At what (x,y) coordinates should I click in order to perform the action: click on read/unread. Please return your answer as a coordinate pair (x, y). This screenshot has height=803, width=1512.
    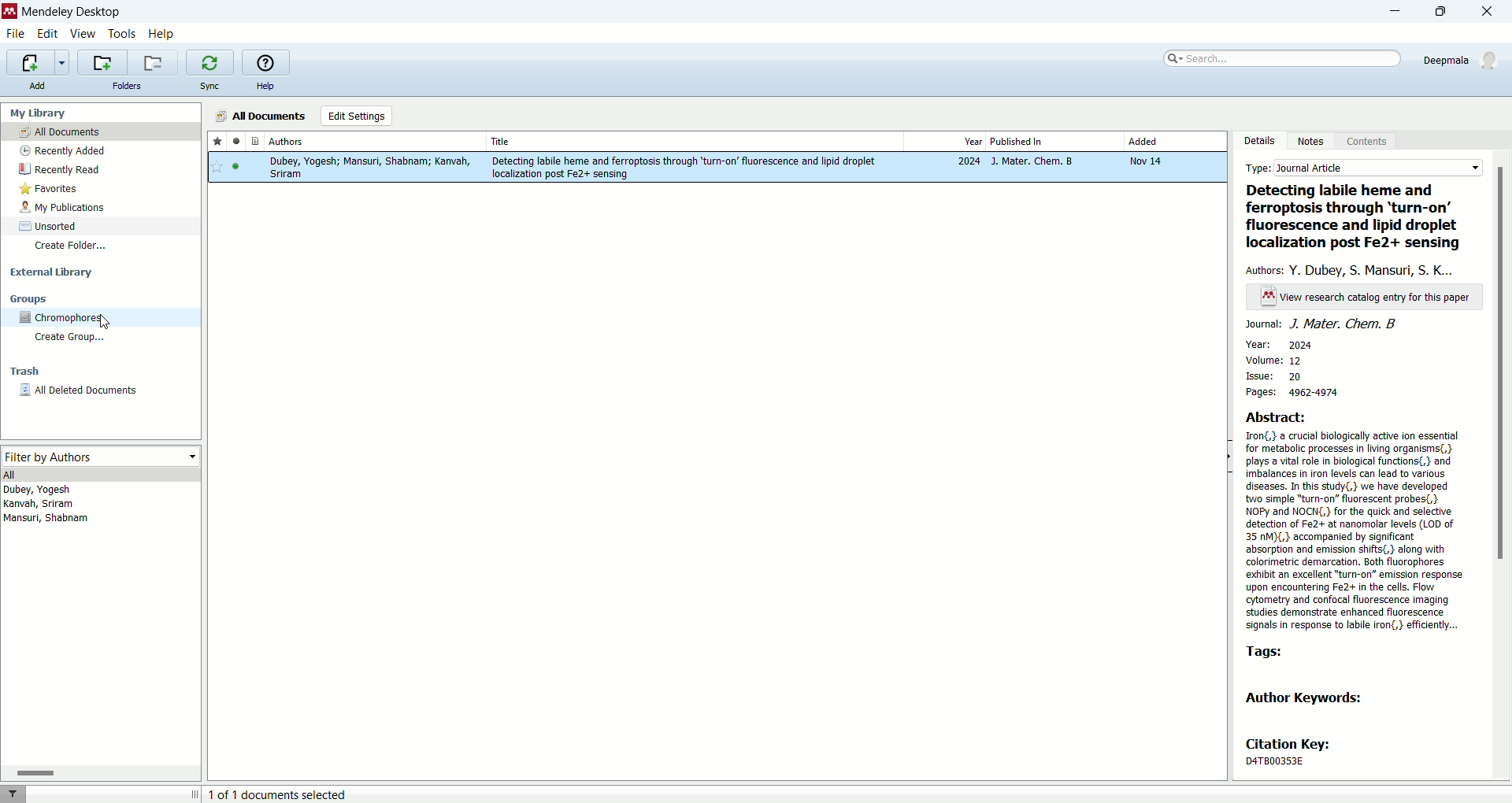
    Looking at the image, I should click on (234, 141).